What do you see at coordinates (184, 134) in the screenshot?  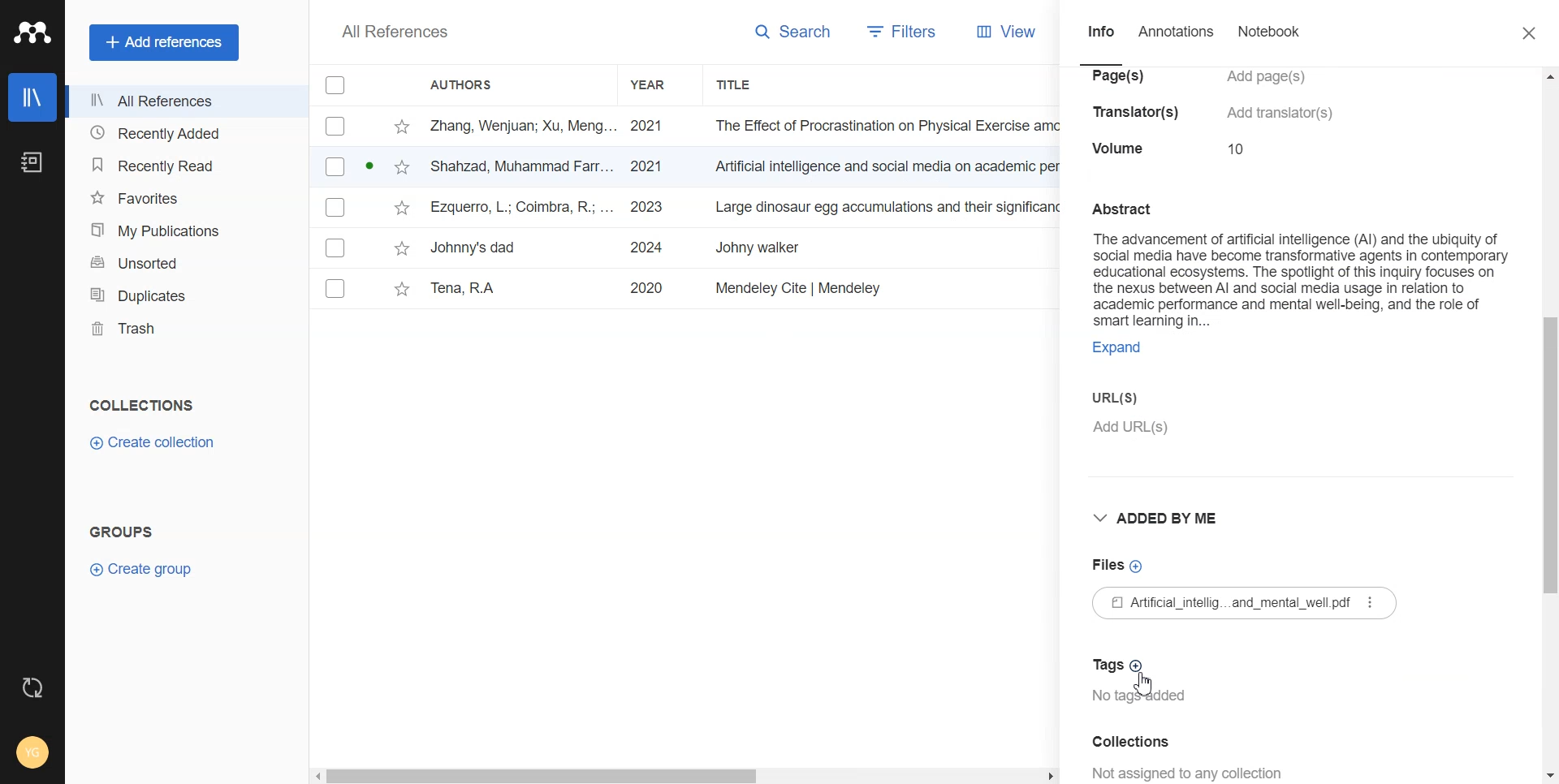 I see `Recently Added` at bounding box center [184, 134].